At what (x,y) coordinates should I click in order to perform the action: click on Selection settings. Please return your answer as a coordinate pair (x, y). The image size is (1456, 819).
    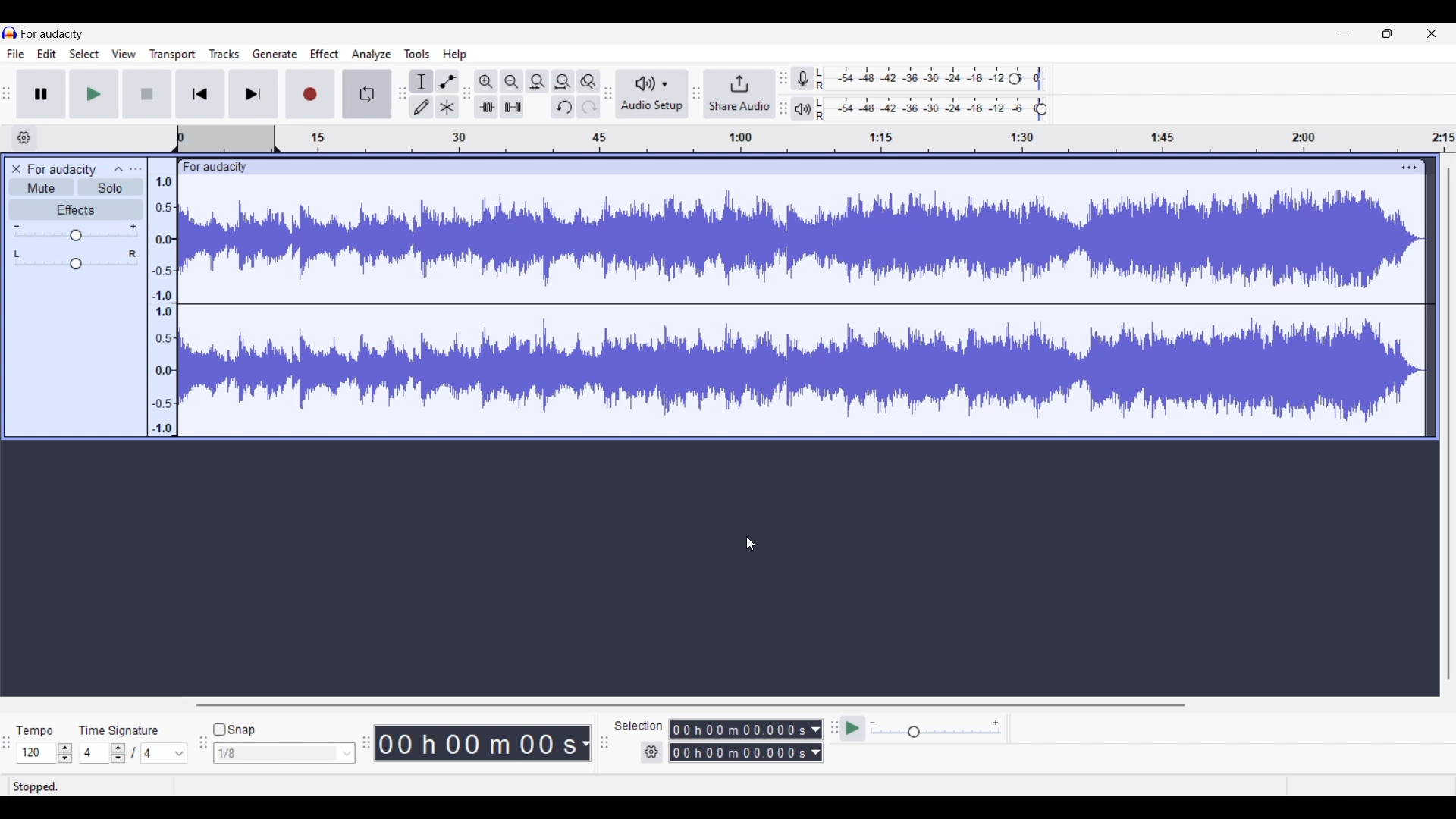
    Looking at the image, I should click on (652, 752).